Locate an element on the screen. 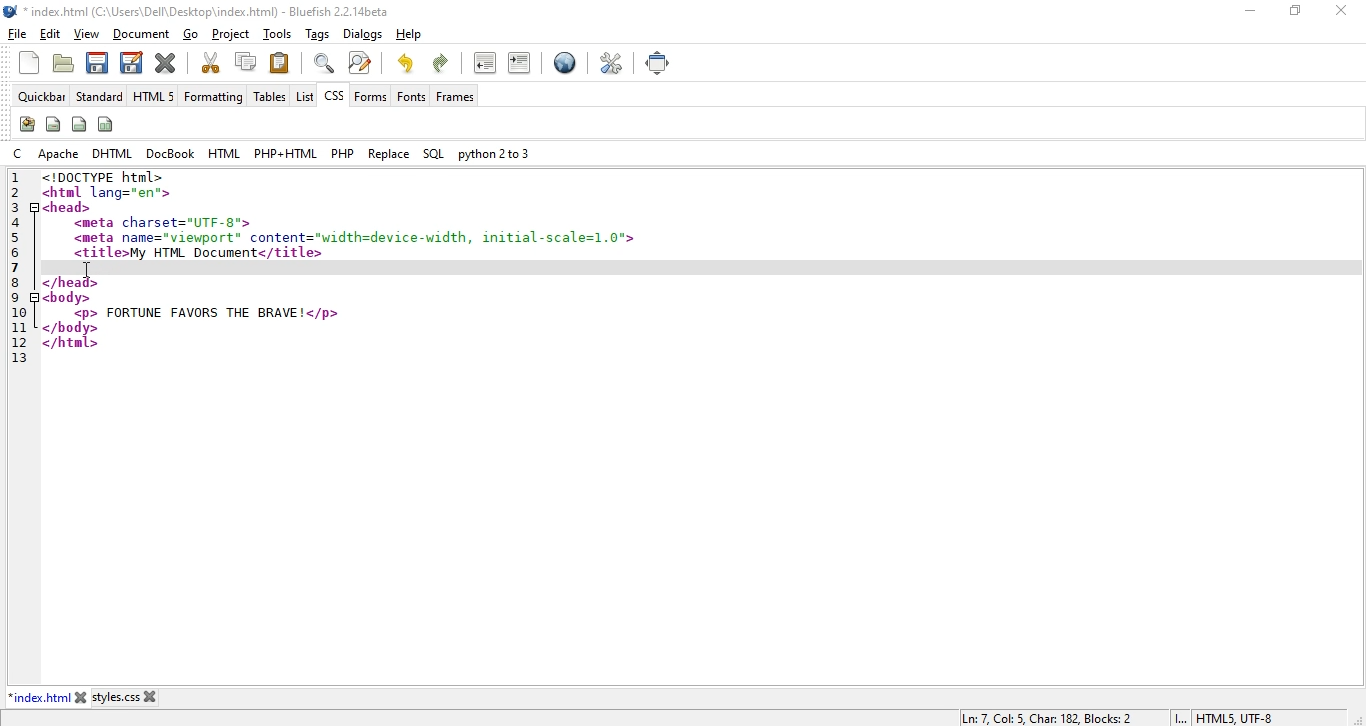 The width and height of the screenshot is (1366, 726). full screen is located at coordinates (659, 63).